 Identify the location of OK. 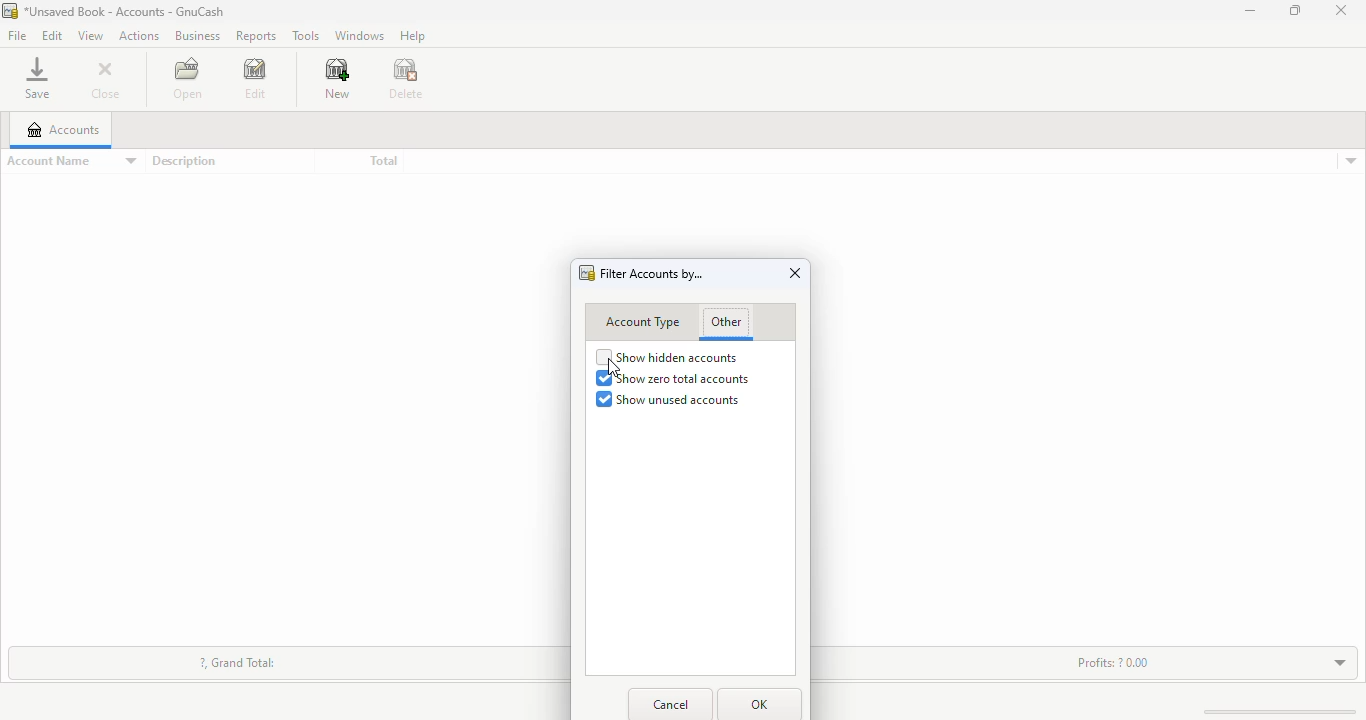
(758, 704).